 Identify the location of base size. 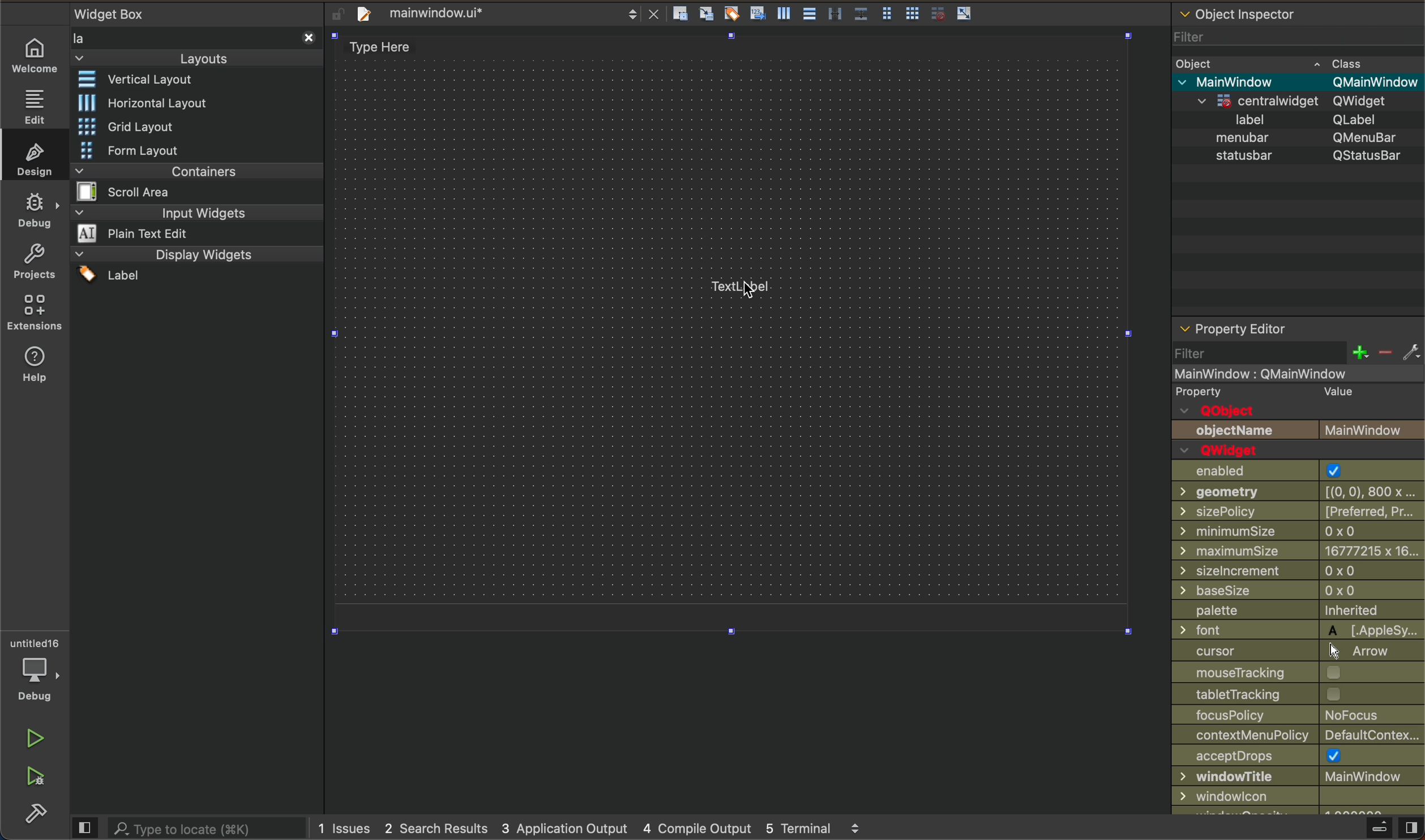
(1296, 592).